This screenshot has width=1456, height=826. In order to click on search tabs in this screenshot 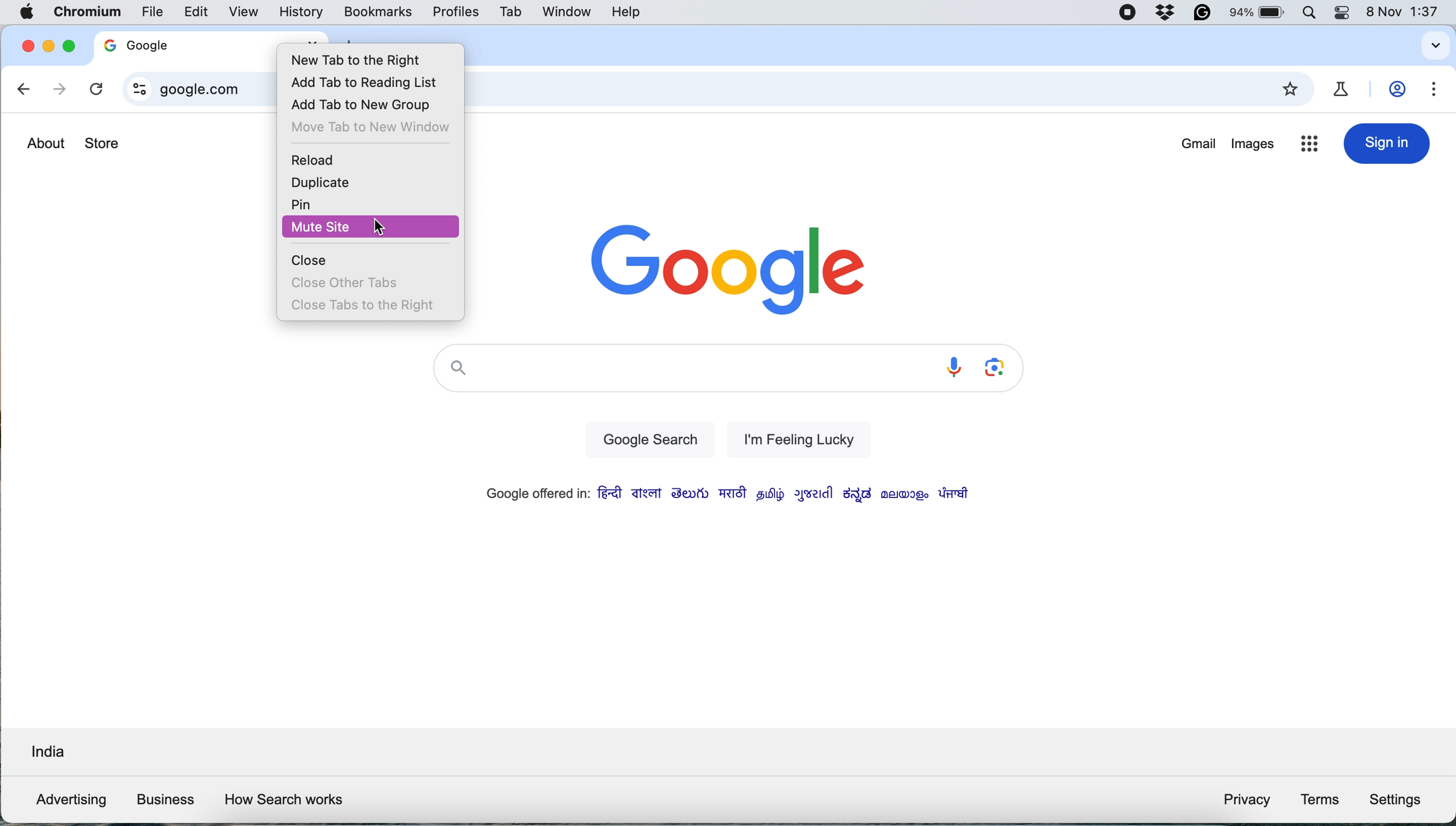, I will do `click(1433, 46)`.